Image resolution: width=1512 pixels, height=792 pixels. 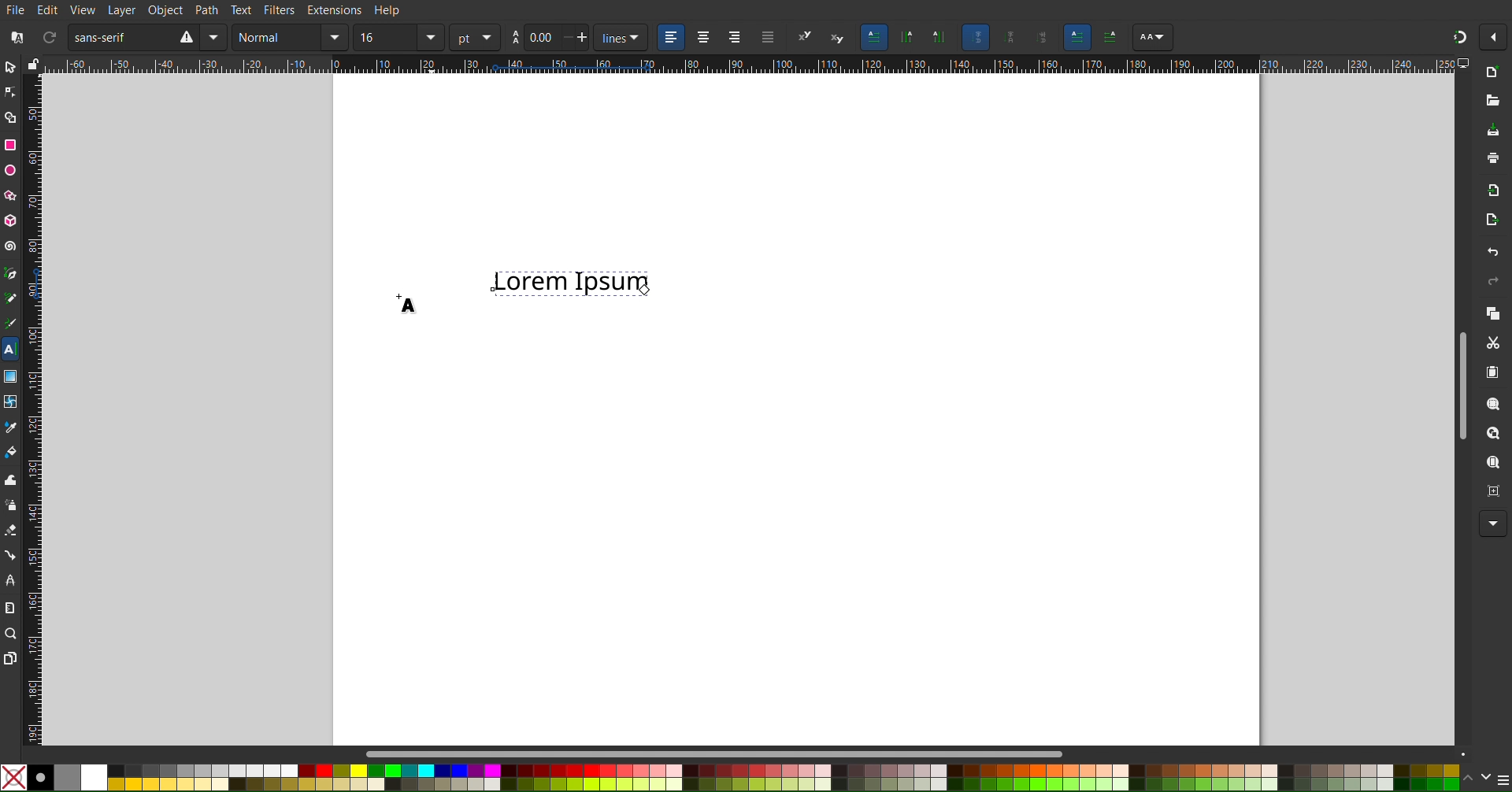 What do you see at coordinates (335, 37) in the screenshot?
I see `normal menu` at bounding box center [335, 37].